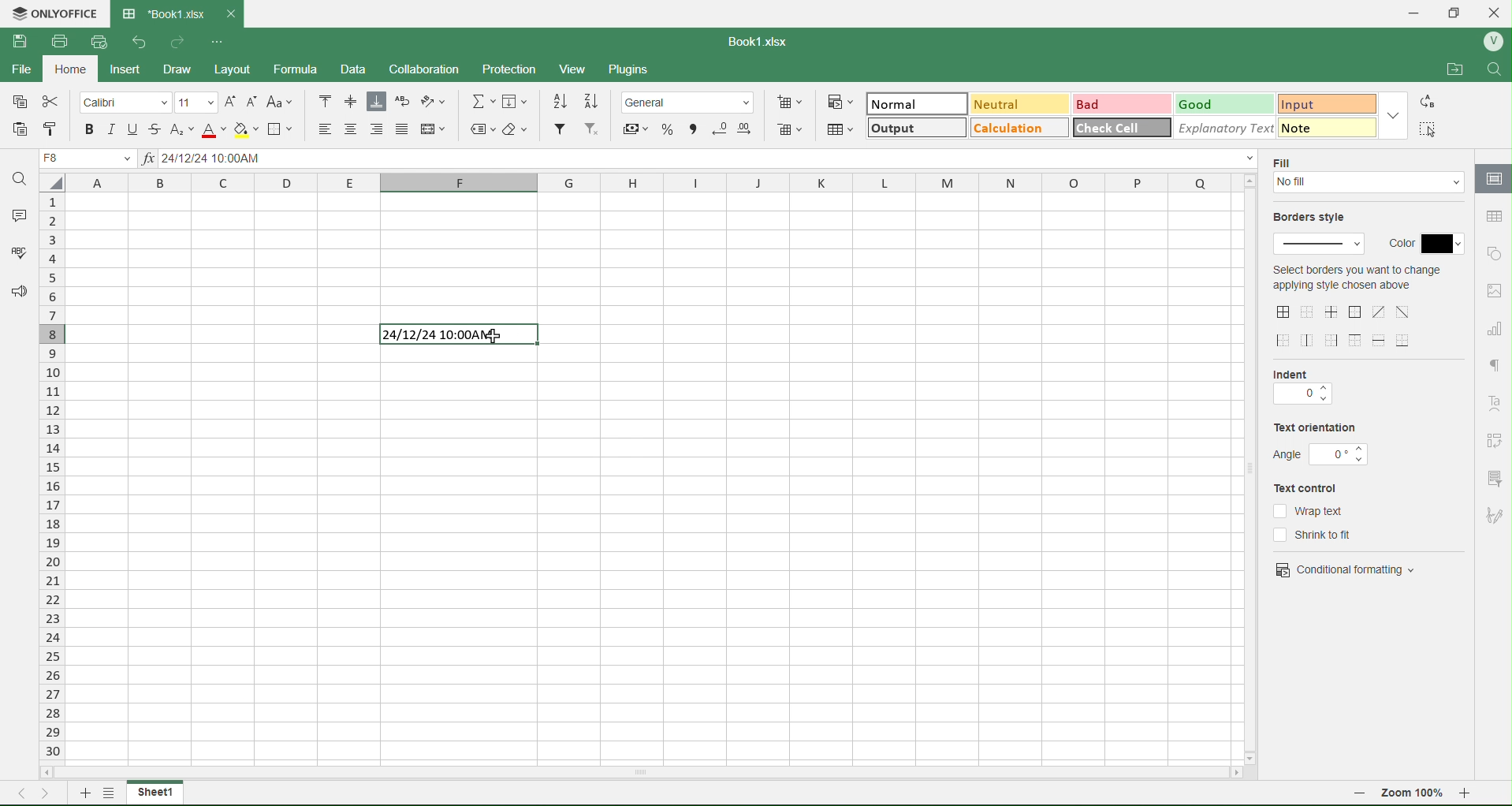 Image resolution: width=1512 pixels, height=806 pixels. What do you see at coordinates (1381, 341) in the screenshot?
I see `horizontal border` at bounding box center [1381, 341].